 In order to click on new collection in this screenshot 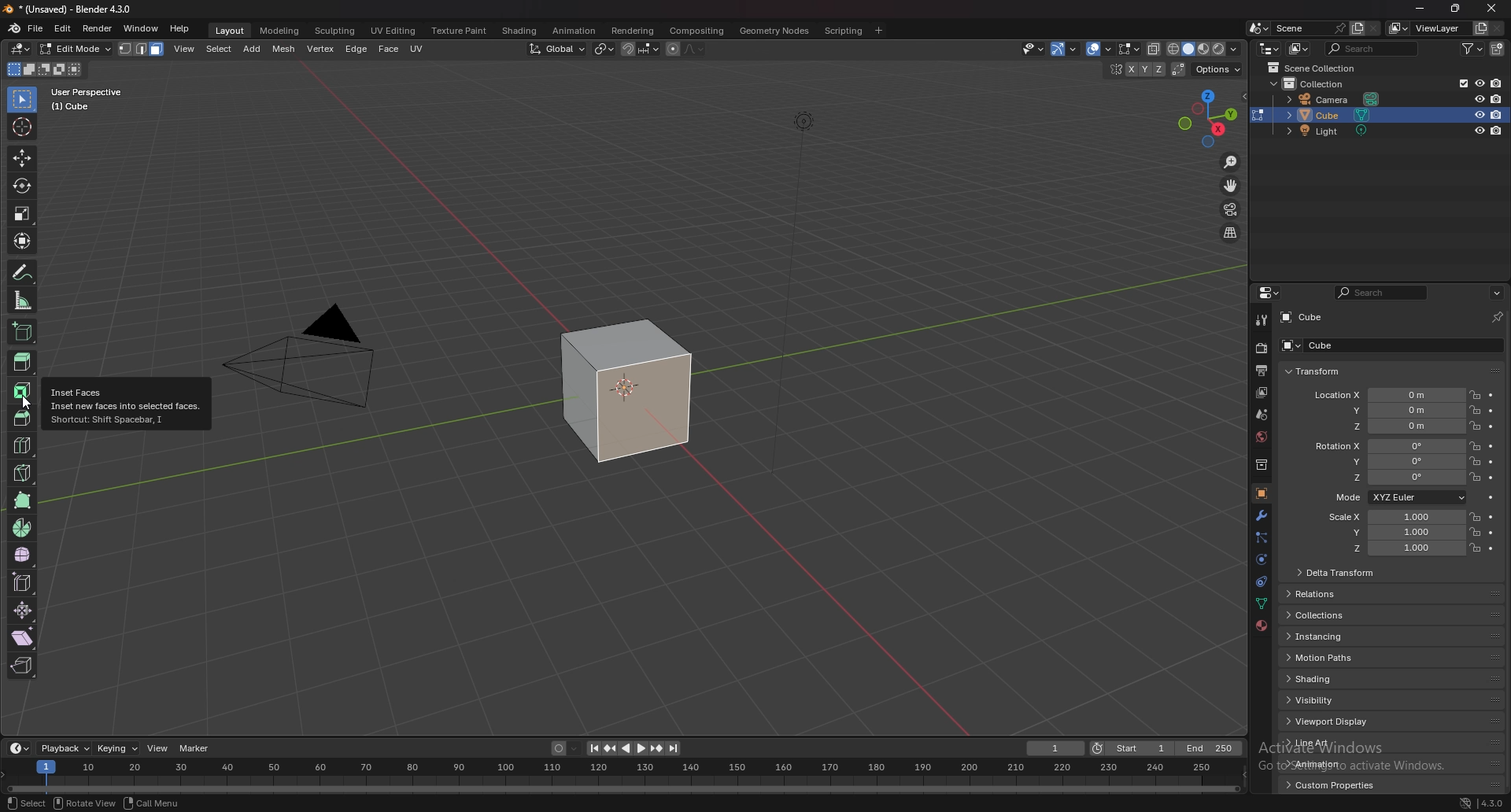, I will do `click(1498, 50)`.